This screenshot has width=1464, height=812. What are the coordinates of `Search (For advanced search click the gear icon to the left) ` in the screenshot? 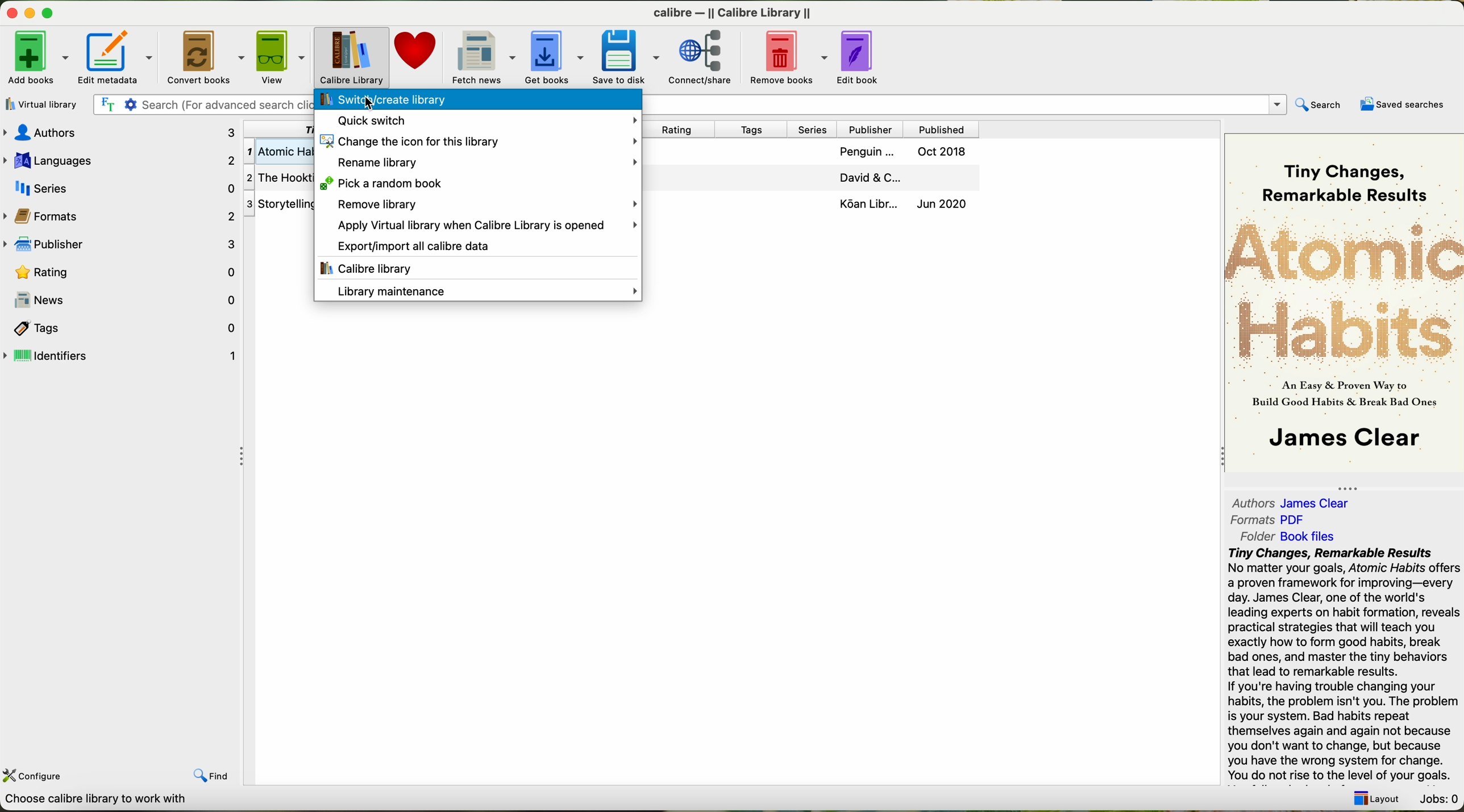 It's located at (201, 105).